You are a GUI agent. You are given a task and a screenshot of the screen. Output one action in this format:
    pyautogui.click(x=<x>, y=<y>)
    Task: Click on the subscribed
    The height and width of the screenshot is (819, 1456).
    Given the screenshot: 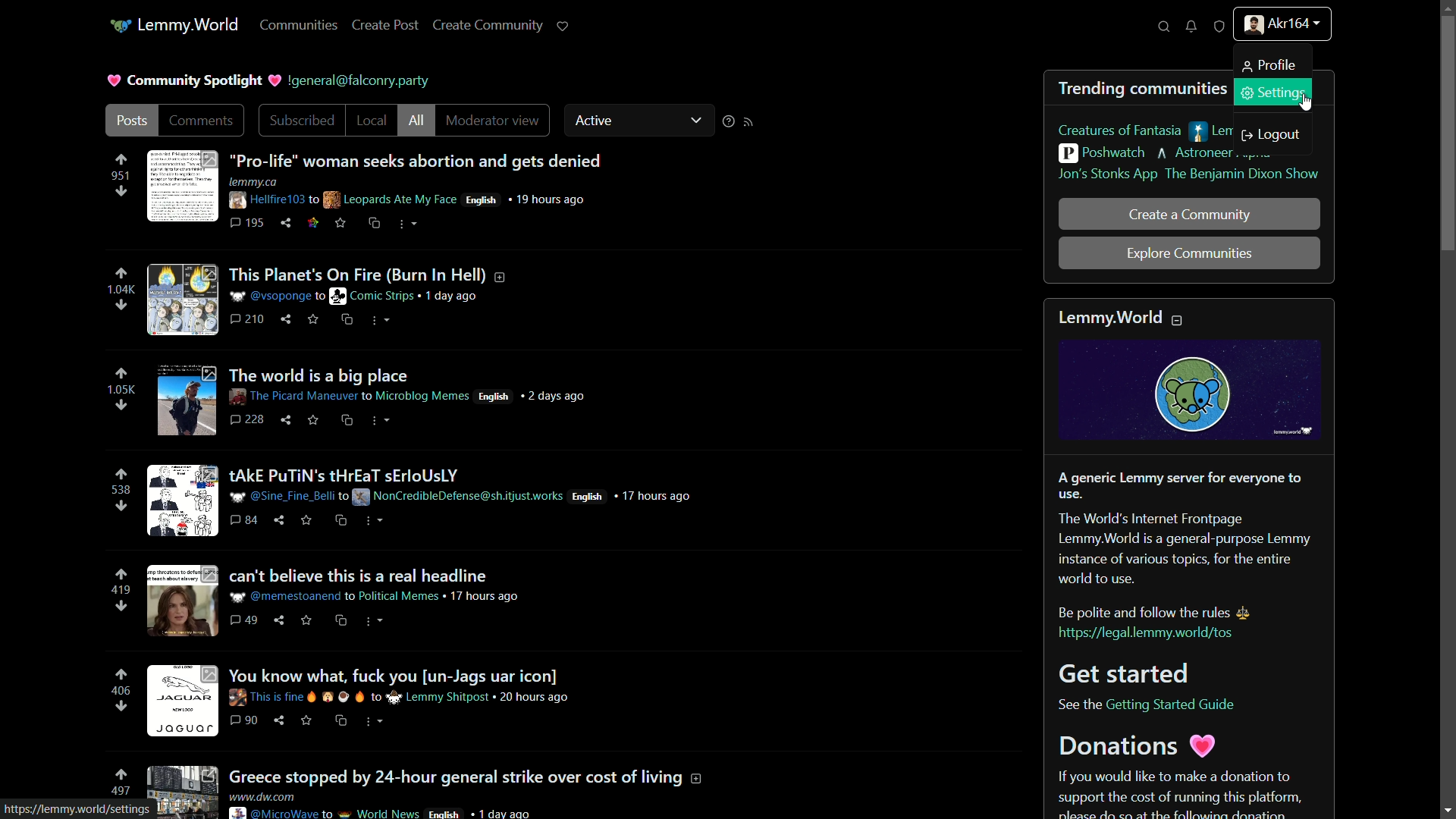 What is the action you would take?
    pyautogui.click(x=302, y=119)
    